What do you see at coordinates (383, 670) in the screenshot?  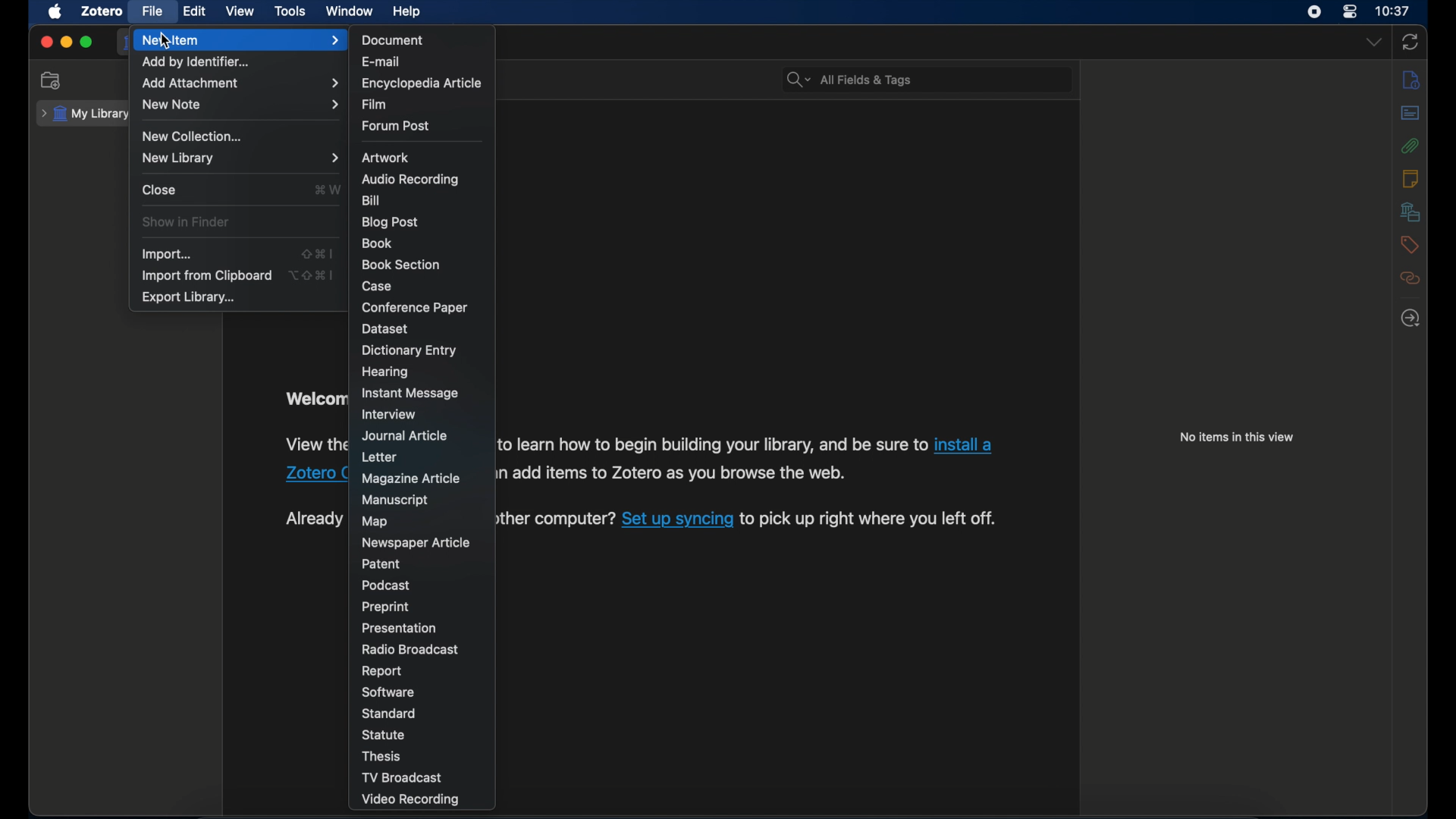 I see `report` at bounding box center [383, 670].